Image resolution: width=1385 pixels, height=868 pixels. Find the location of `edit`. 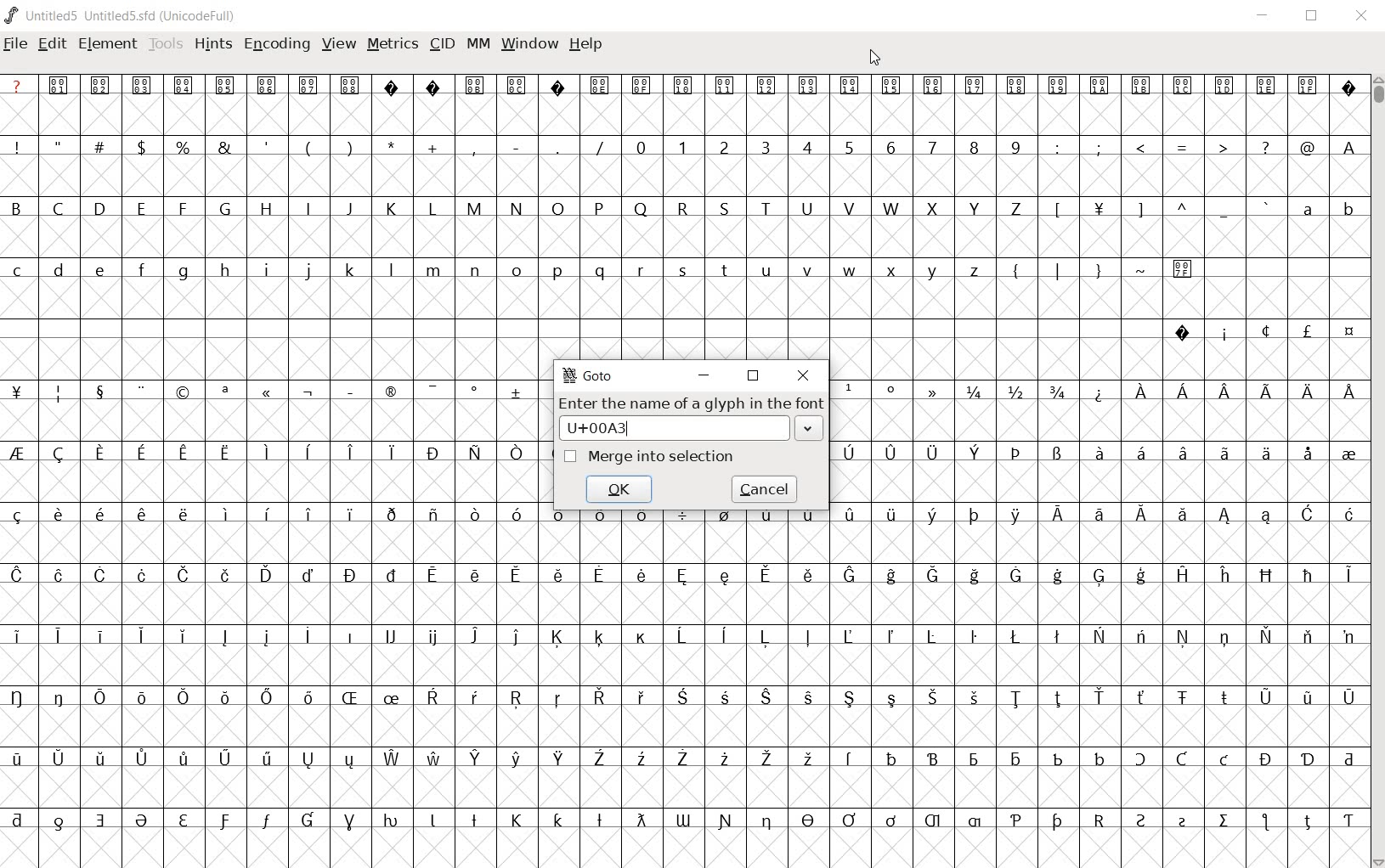

edit is located at coordinates (53, 45).